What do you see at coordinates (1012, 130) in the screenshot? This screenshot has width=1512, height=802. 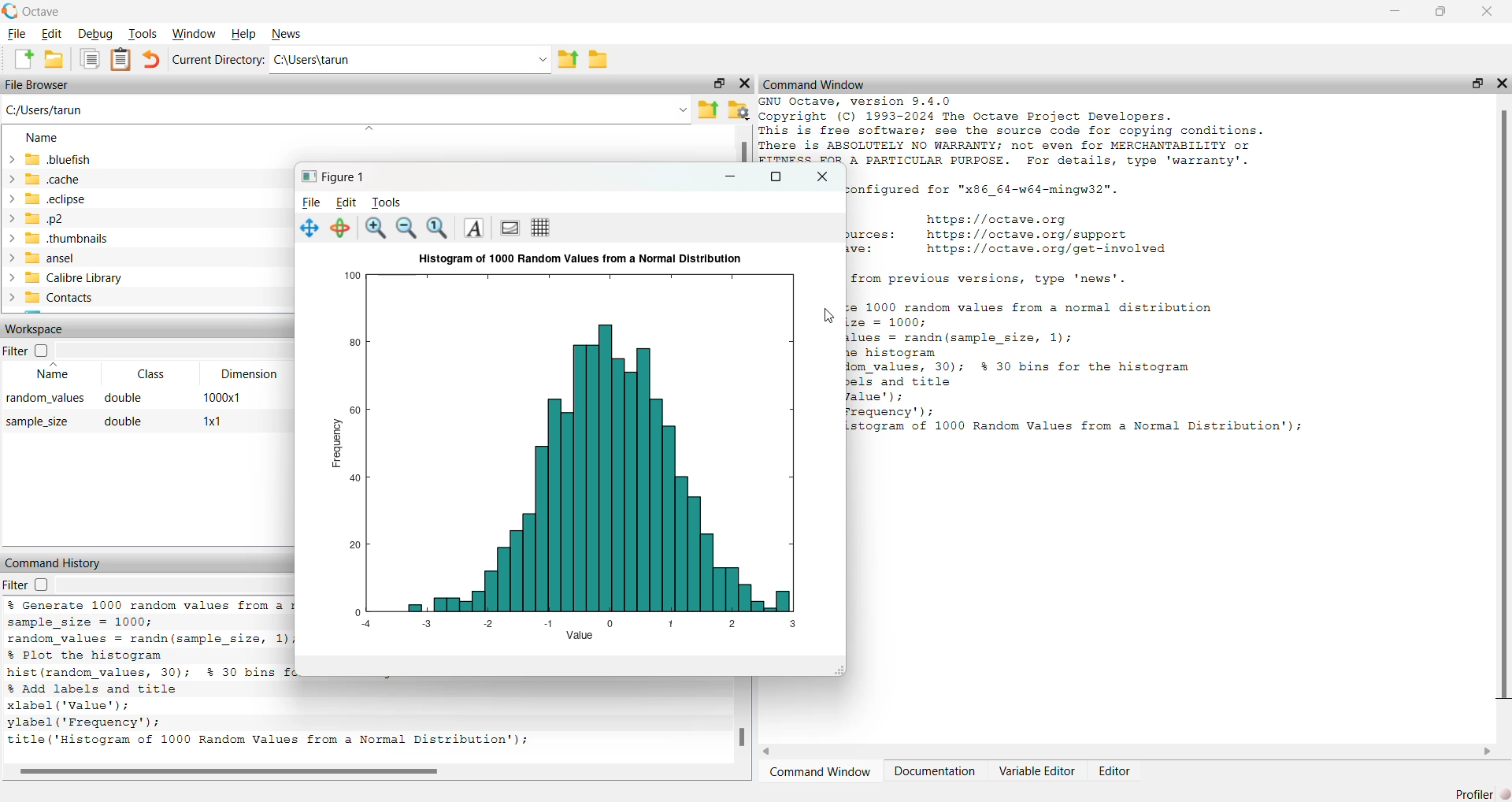 I see `GNU Octave, version 9.4.0
Copyright (C) 1993-2024 The Octave Project Developers.

This is free software; see the source code for copying conditions.
There is ABSOLUTELY NO WARRANTY; not even for MERCHANTABILITY or
FITNESS FOR A PARTICULAR PURPOSE. For details, type 'warranty'.` at bounding box center [1012, 130].